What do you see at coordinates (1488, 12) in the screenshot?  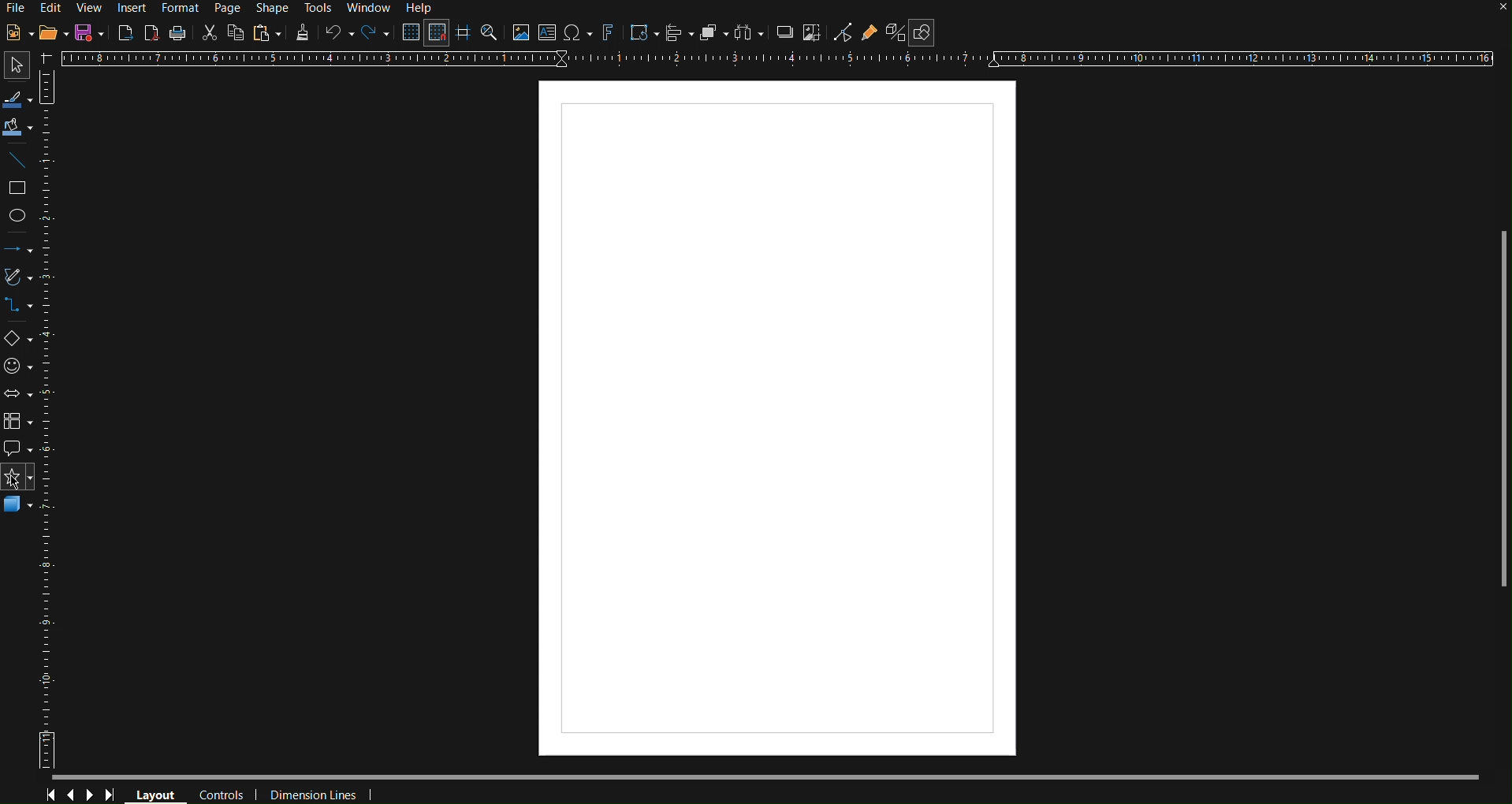 I see `close` at bounding box center [1488, 12].